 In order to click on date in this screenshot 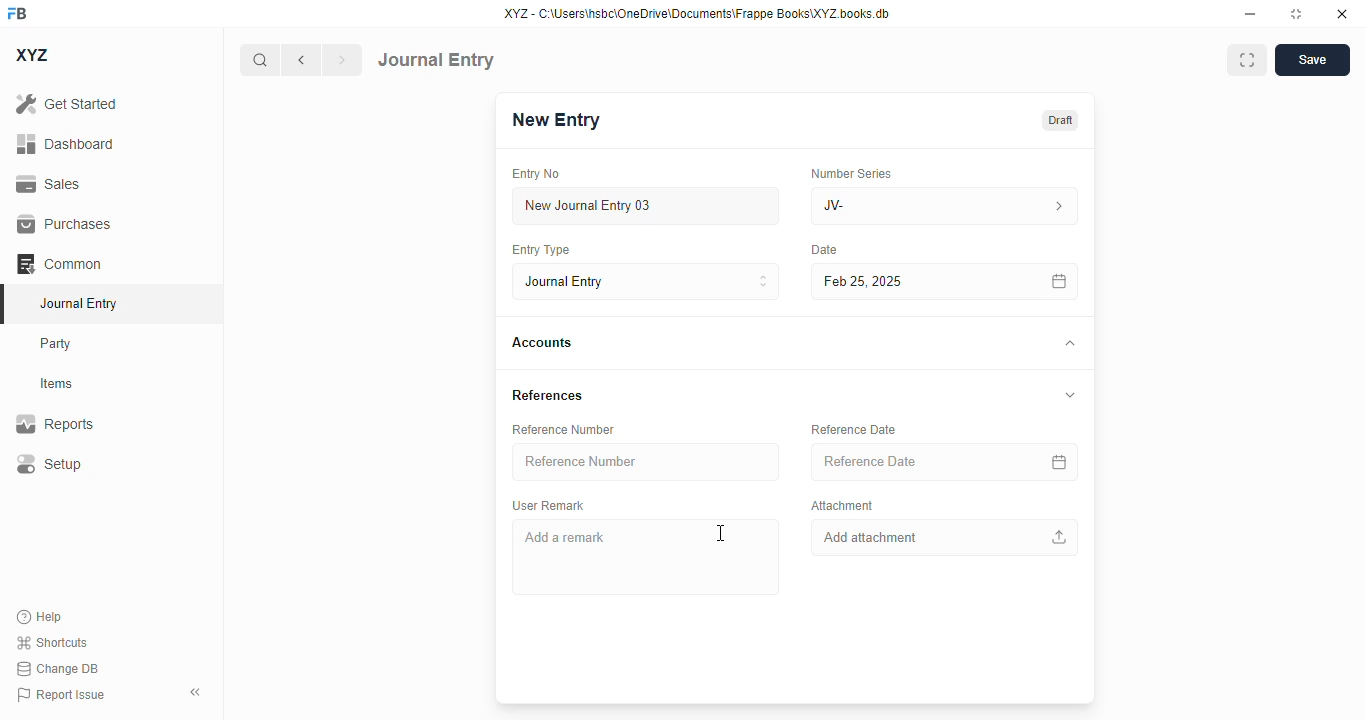, I will do `click(821, 250)`.